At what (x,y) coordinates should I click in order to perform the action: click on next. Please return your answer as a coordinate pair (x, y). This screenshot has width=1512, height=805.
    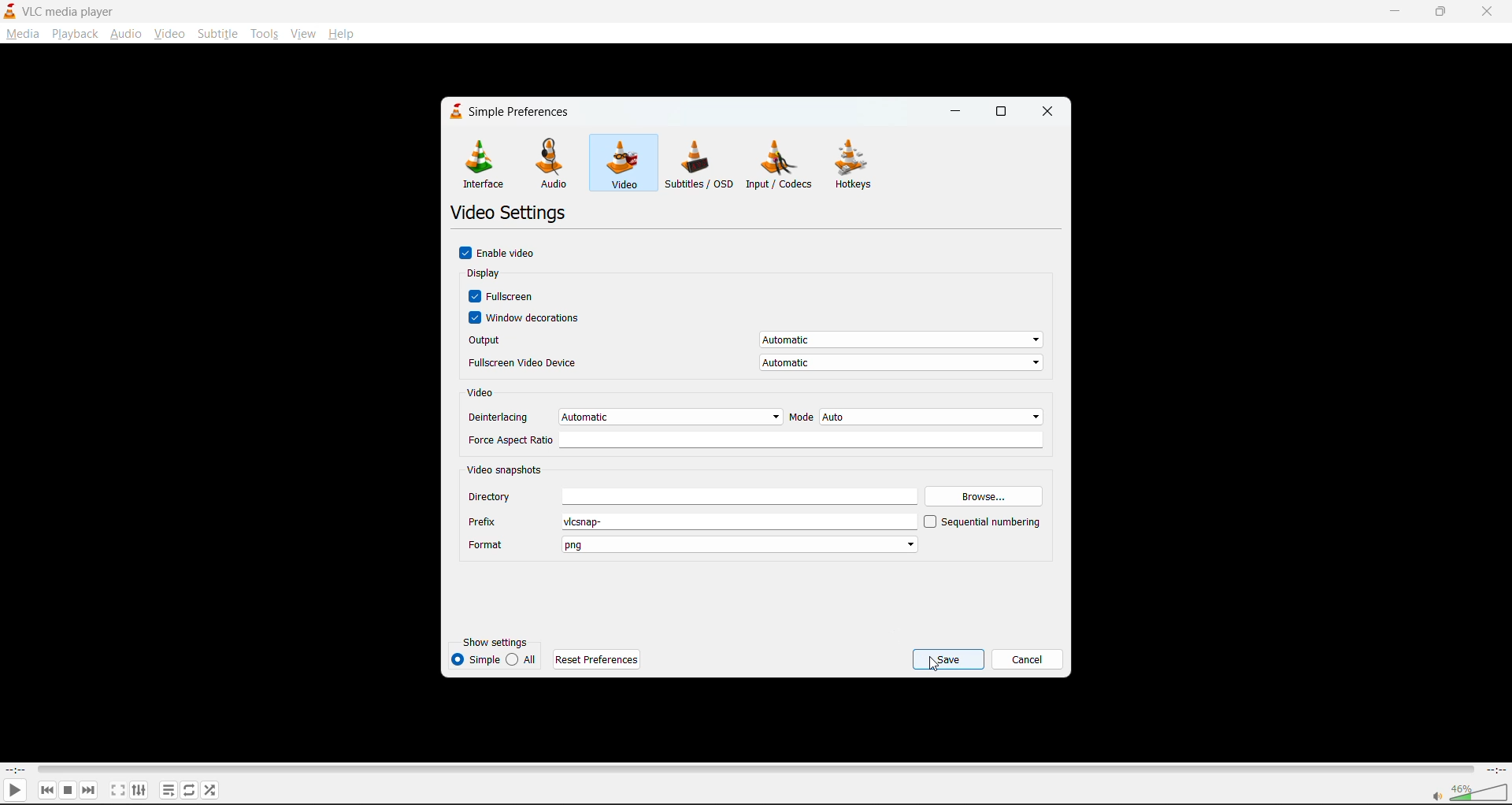
    Looking at the image, I should click on (92, 789).